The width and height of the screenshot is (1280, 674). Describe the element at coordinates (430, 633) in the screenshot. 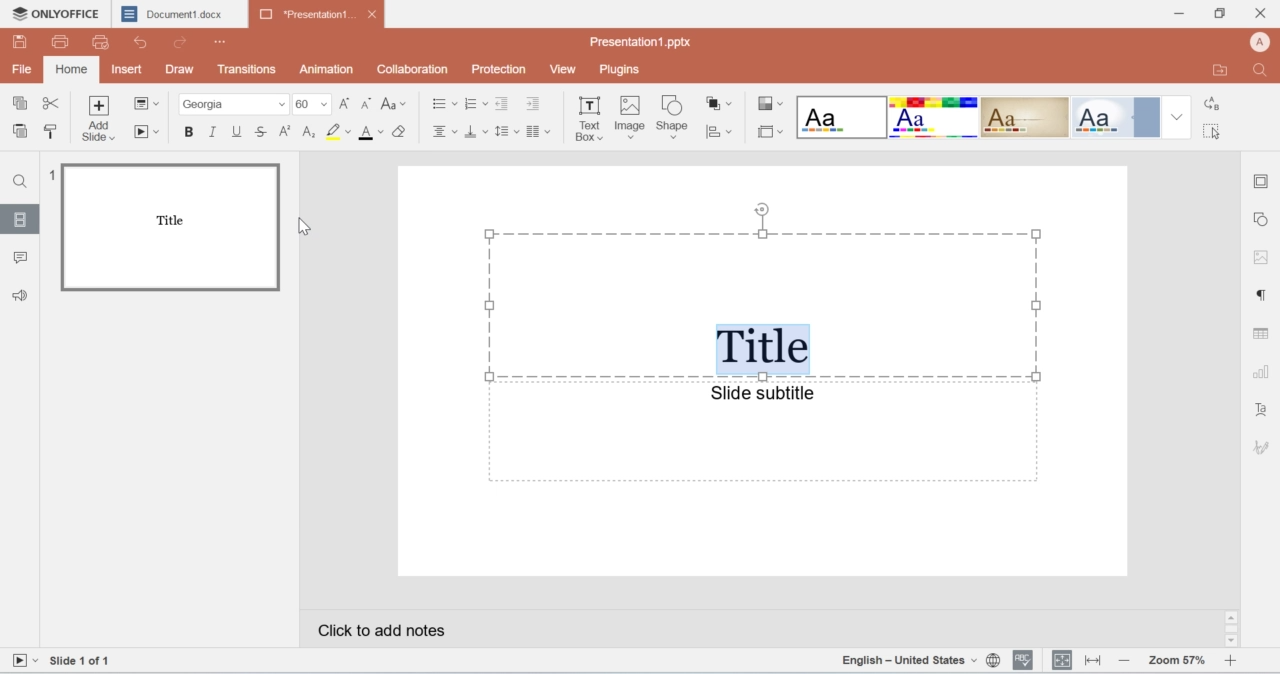

I see `notes` at that location.